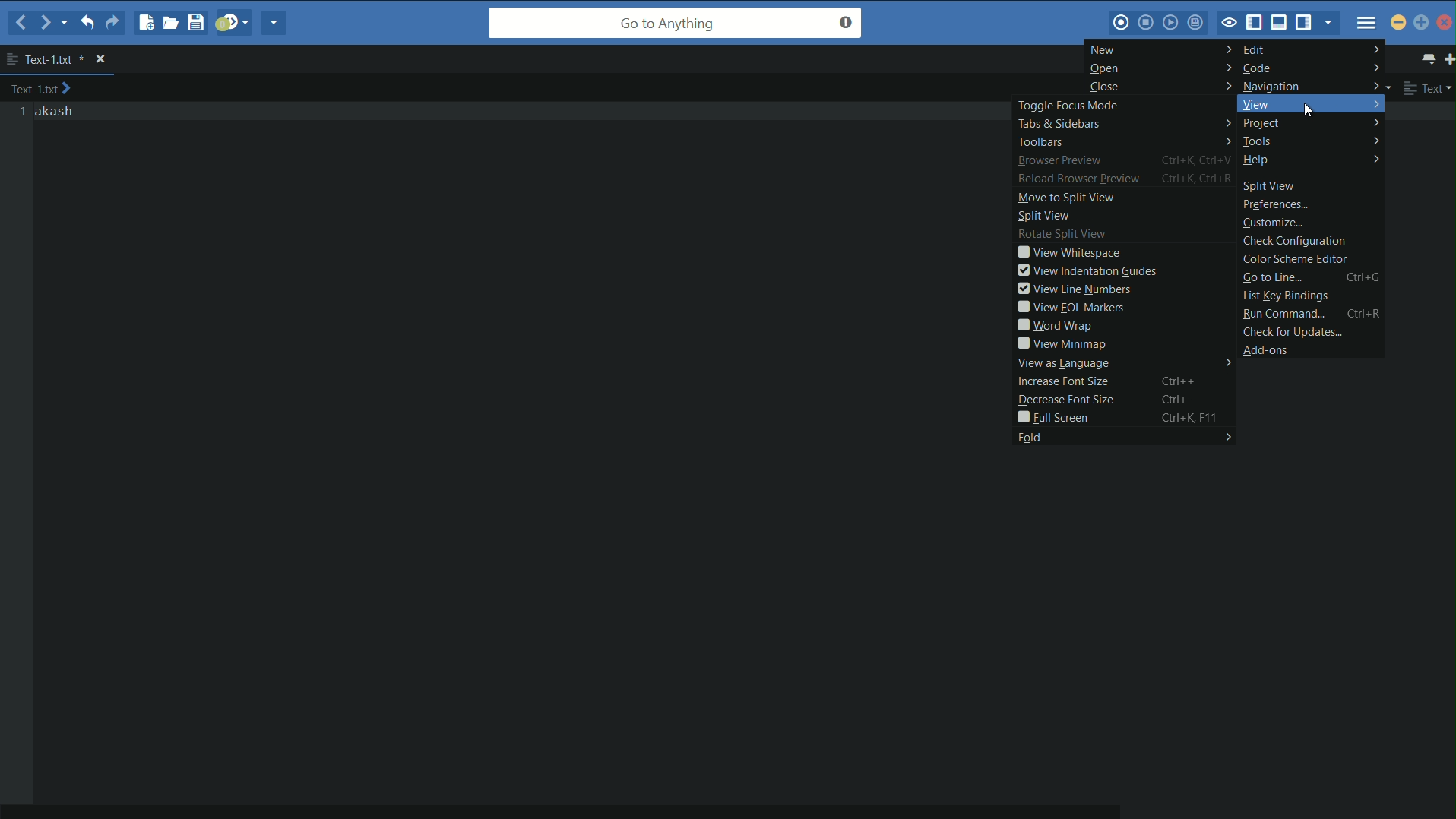  What do you see at coordinates (22, 24) in the screenshot?
I see `back` at bounding box center [22, 24].